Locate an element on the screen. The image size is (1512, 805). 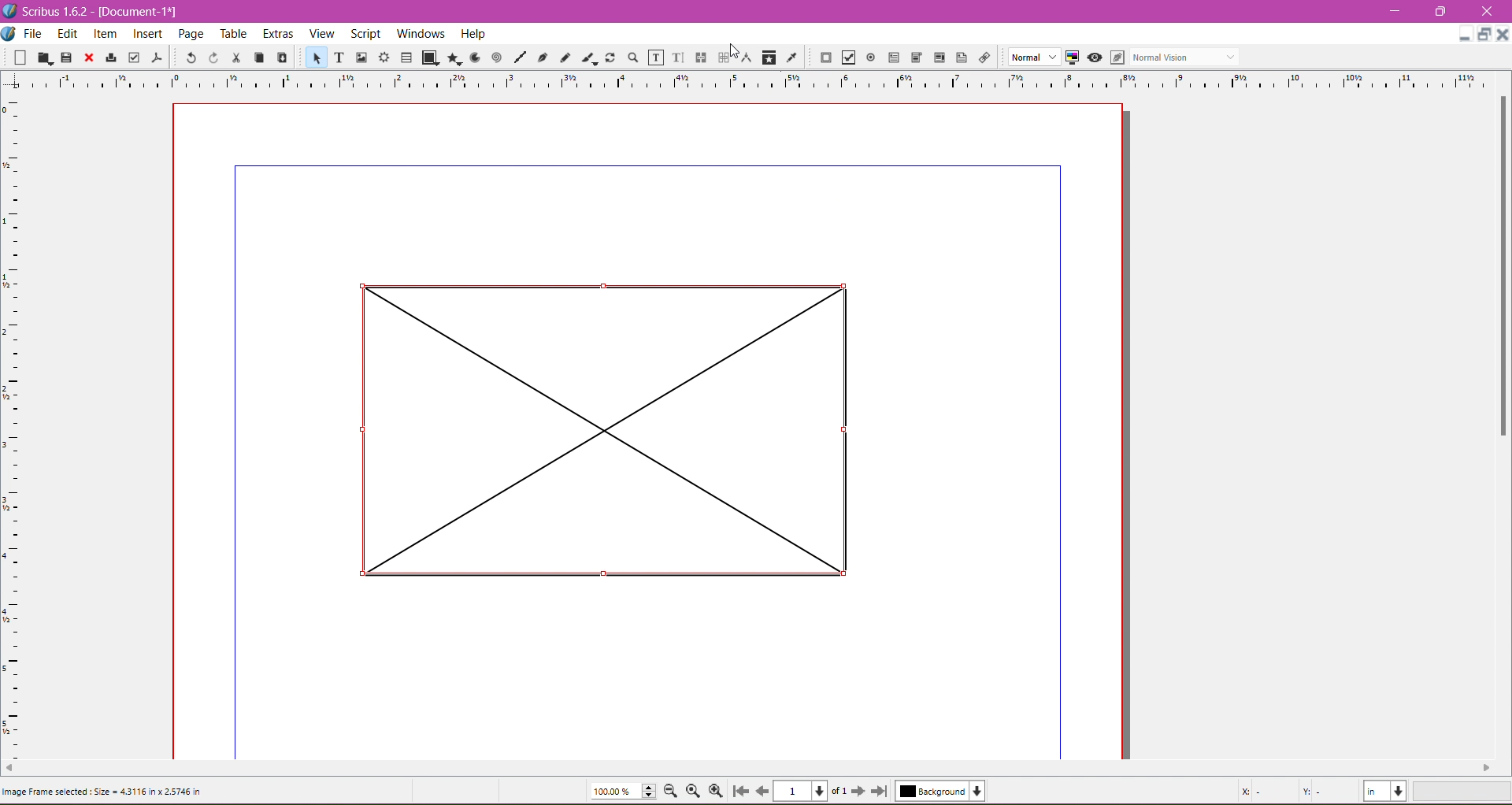
Toggle Color Management System is located at coordinates (1072, 57).